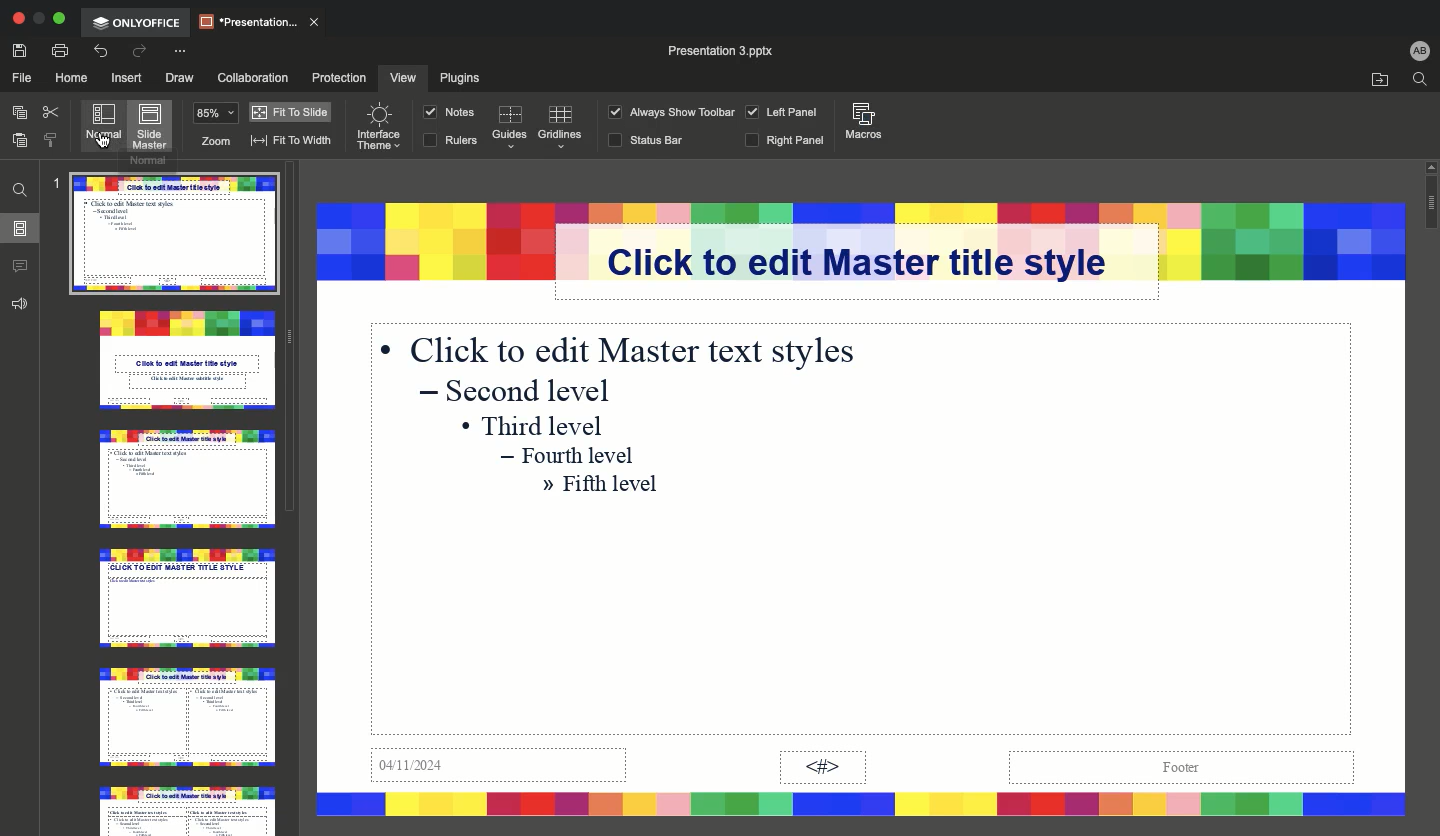 Image resolution: width=1440 pixels, height=836 pixels. Describe the element at coordinates (59, 19) in the screenshot. I see `Expand` at that location.